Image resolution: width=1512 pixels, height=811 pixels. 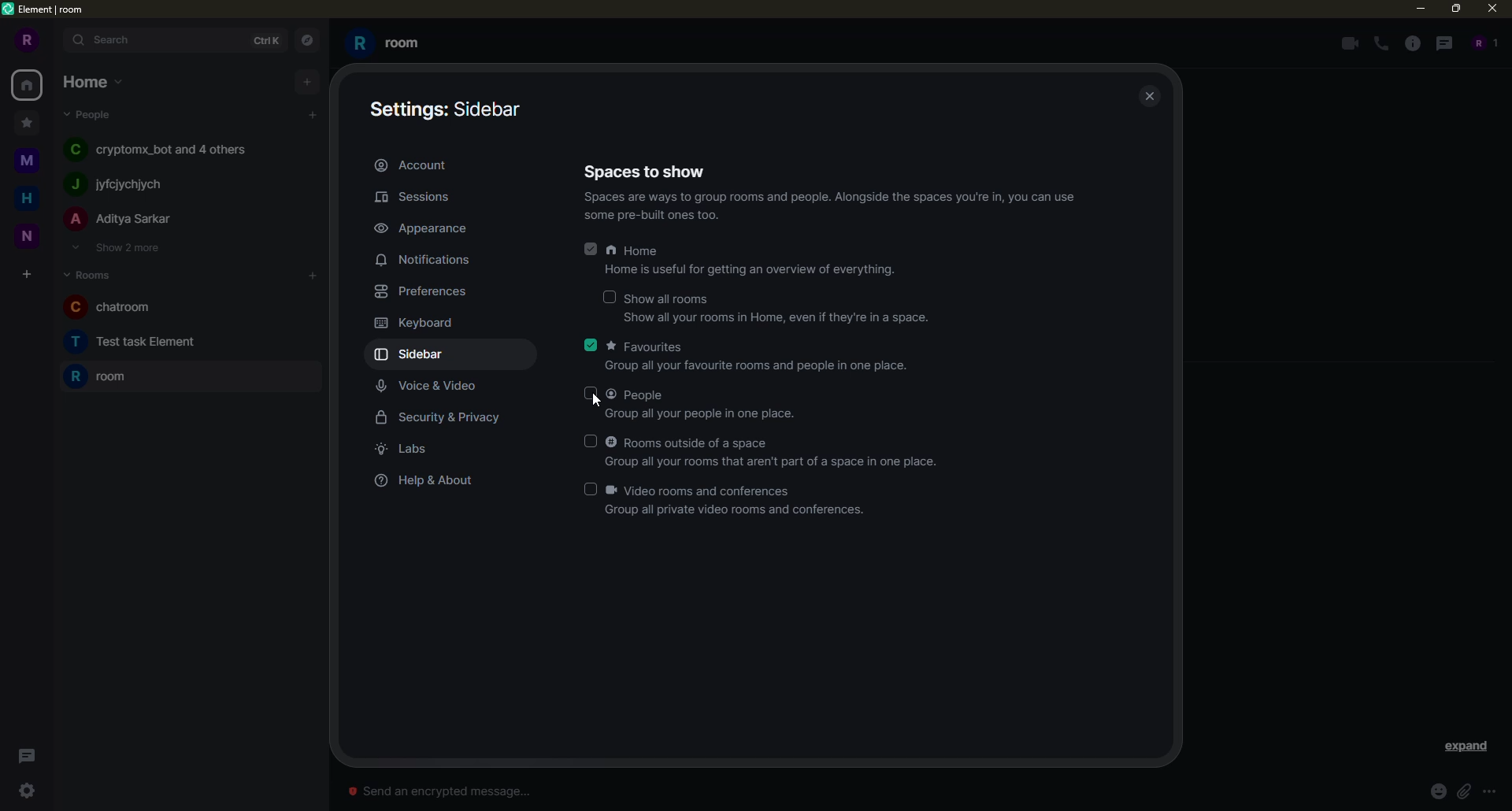 What do you see at coordinates (1455, 9) in the screenshot?
I see `maximize` at bounding box center [1455, 9].